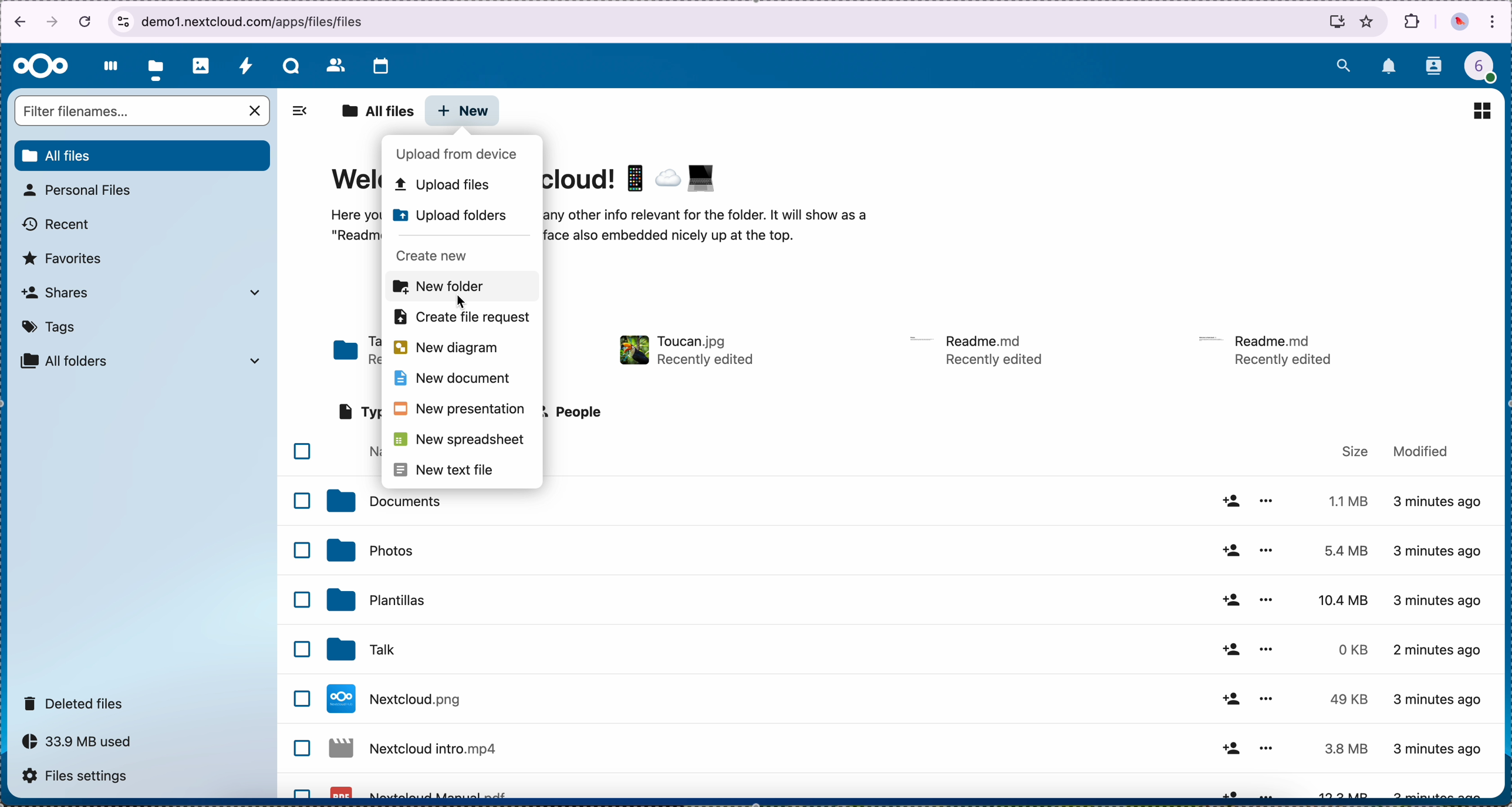  Describe the element at coordinates (636, 178) in the screenshot. I see `welcome to Nextcloud` at that location.